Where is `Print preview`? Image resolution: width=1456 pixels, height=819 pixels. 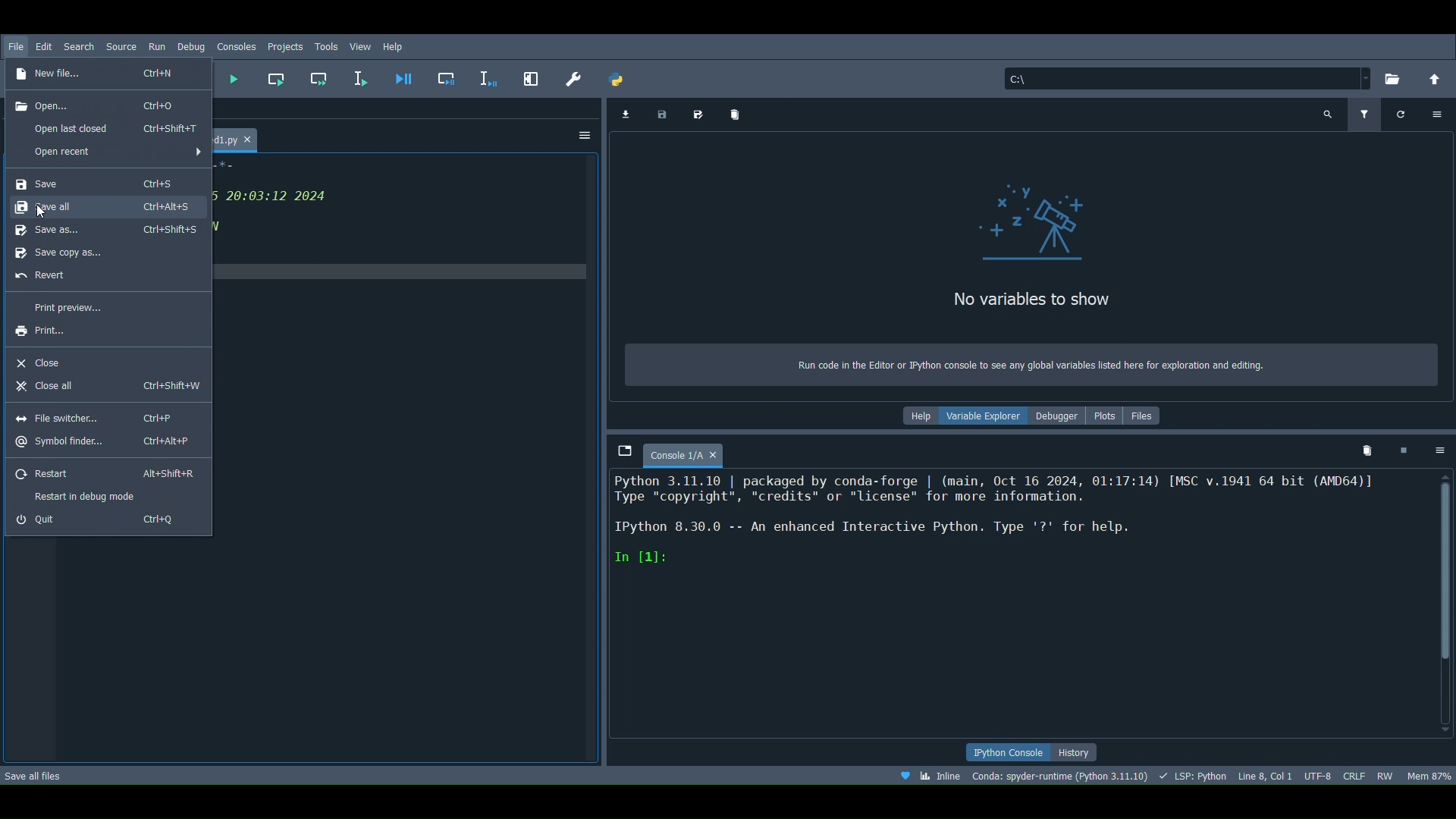
Print preview is located at coordinates (102, 306).